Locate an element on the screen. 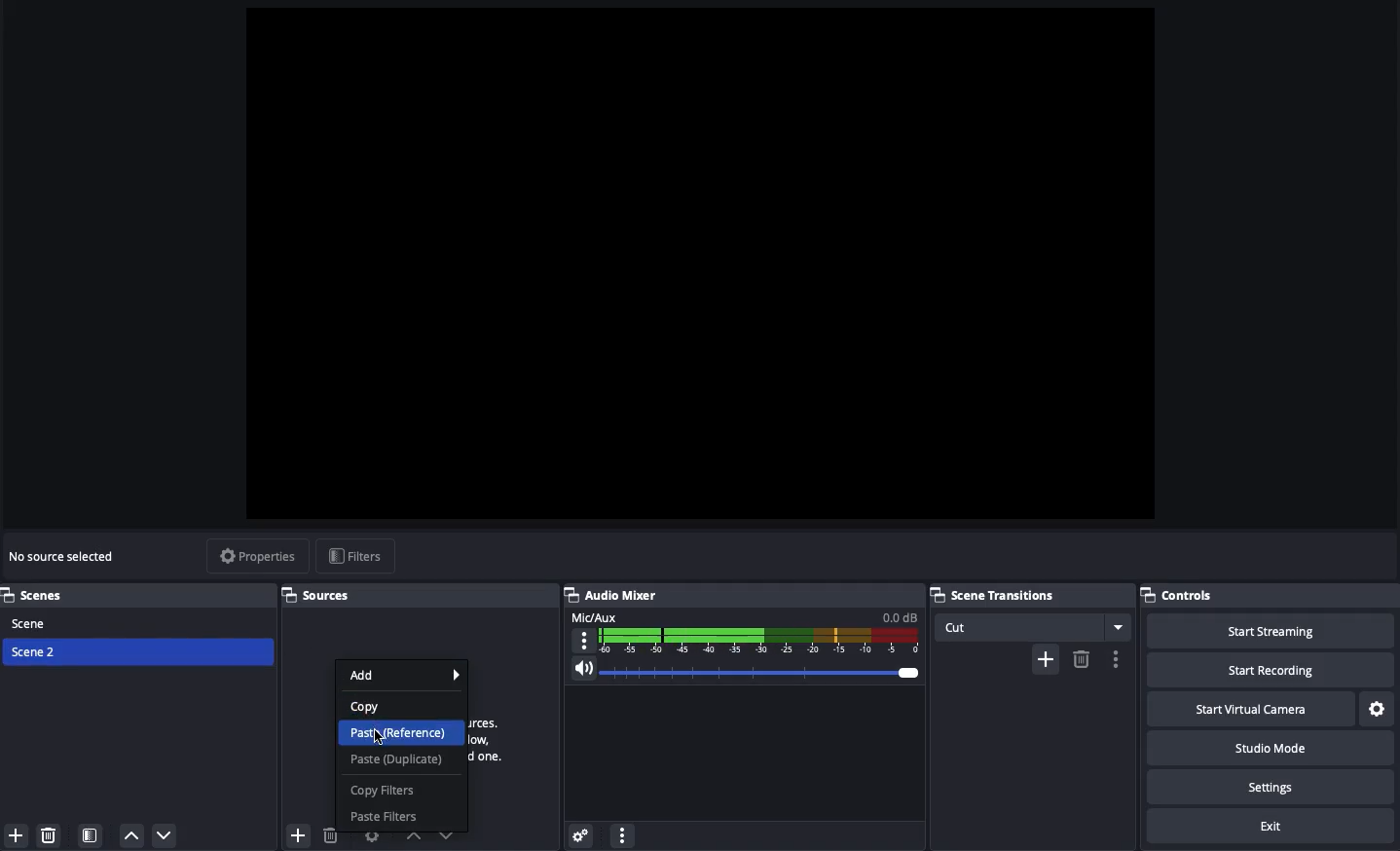 The height and width of the screenshot is (851, 1400). more options is located at coordinates (1119, 659).